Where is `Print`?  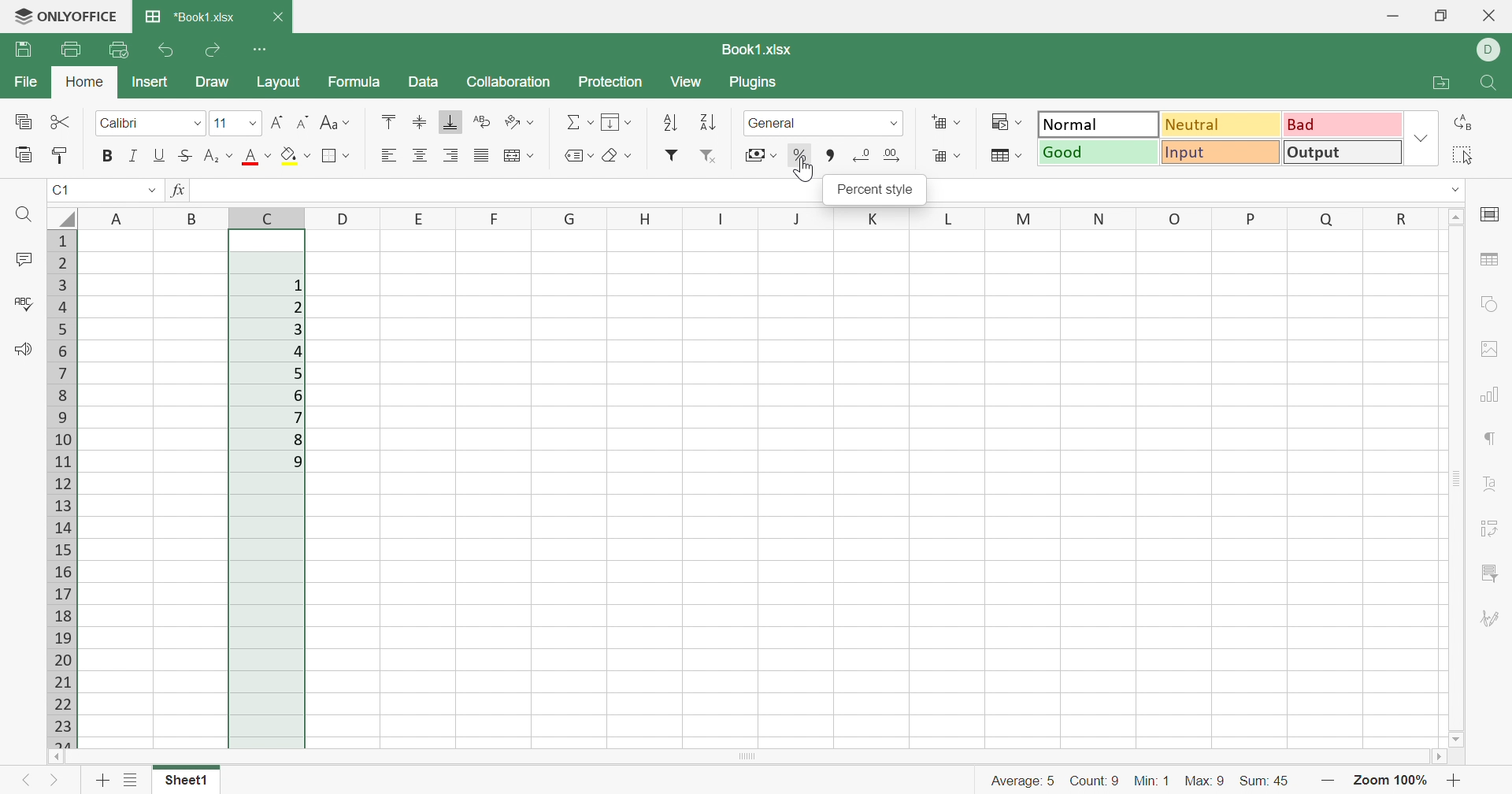 Print is located at coordinates (68, 50).